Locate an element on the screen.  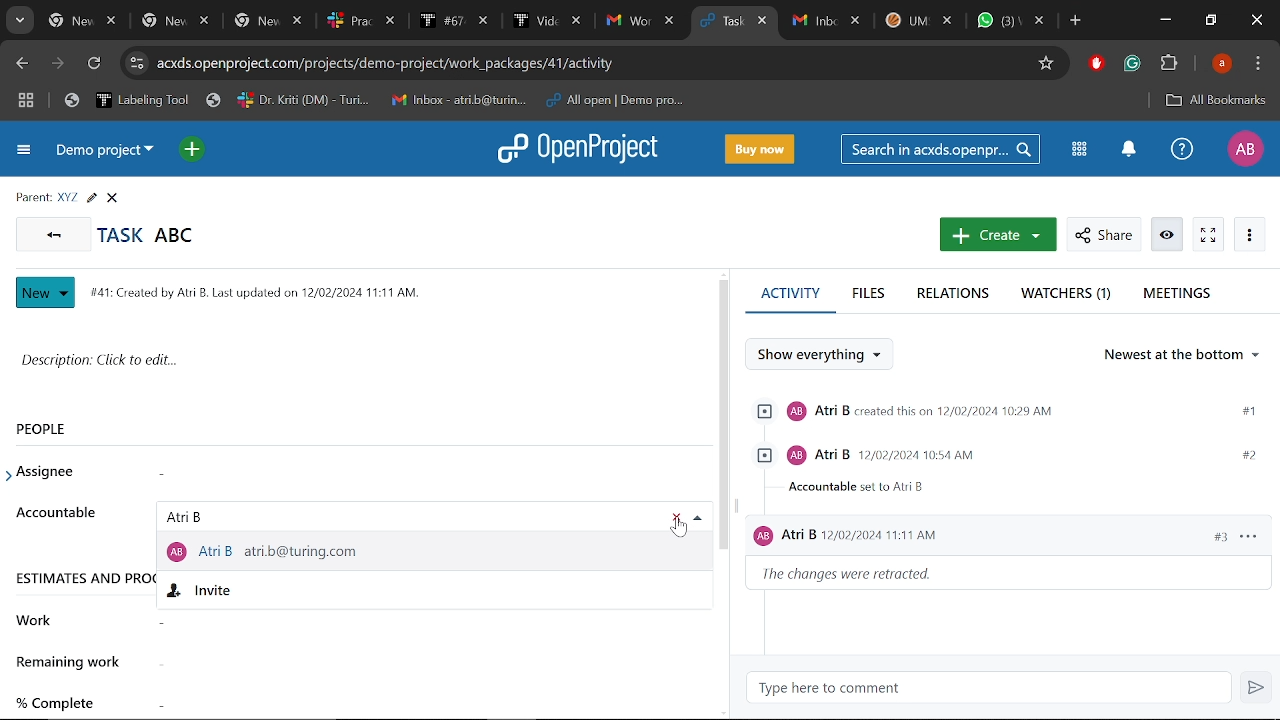
Close current tab is located at coordinates (763, 23).